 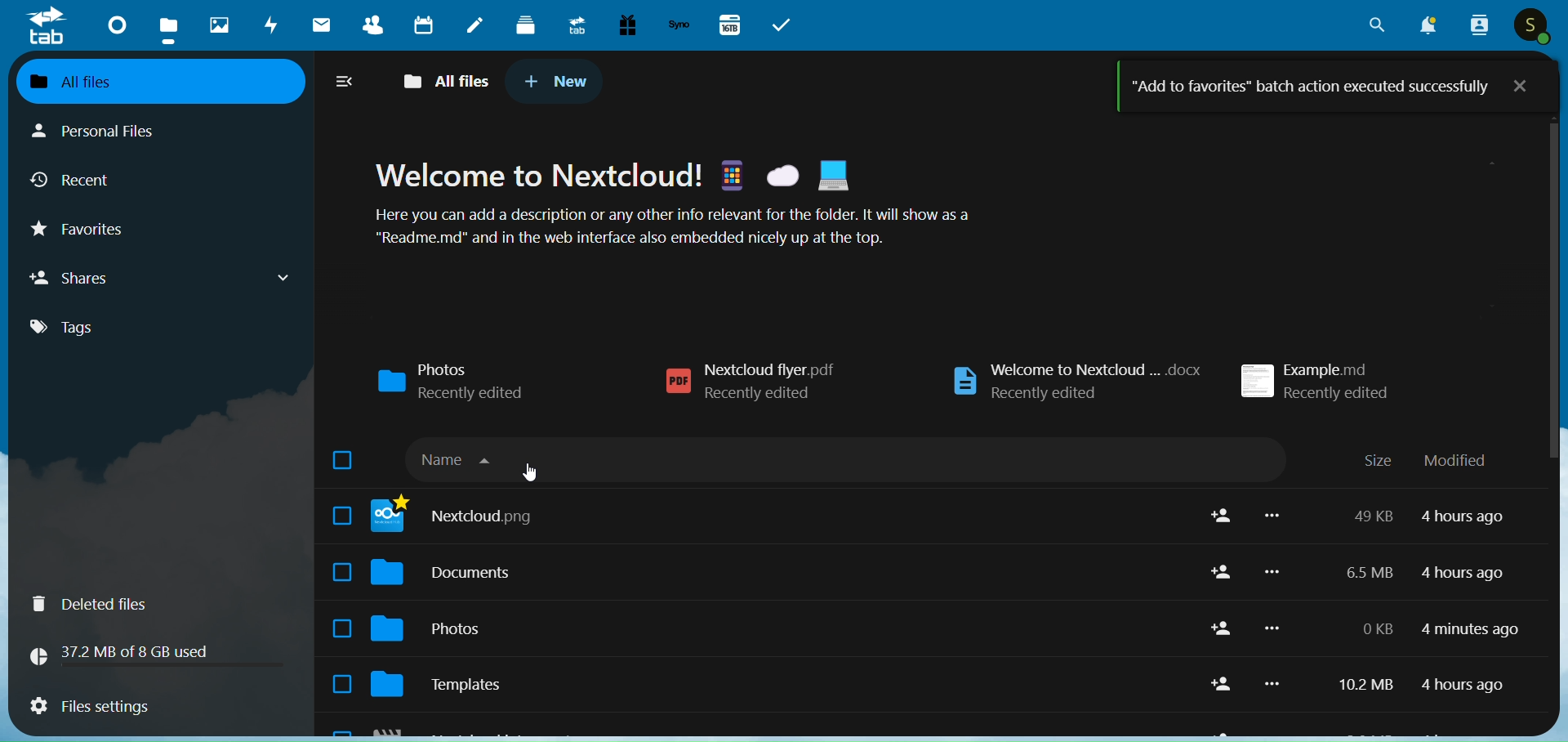 What do you see at coordinates (160, 604) in the screenshot?
I see `Deleted files` at bounding box center [160, 604].